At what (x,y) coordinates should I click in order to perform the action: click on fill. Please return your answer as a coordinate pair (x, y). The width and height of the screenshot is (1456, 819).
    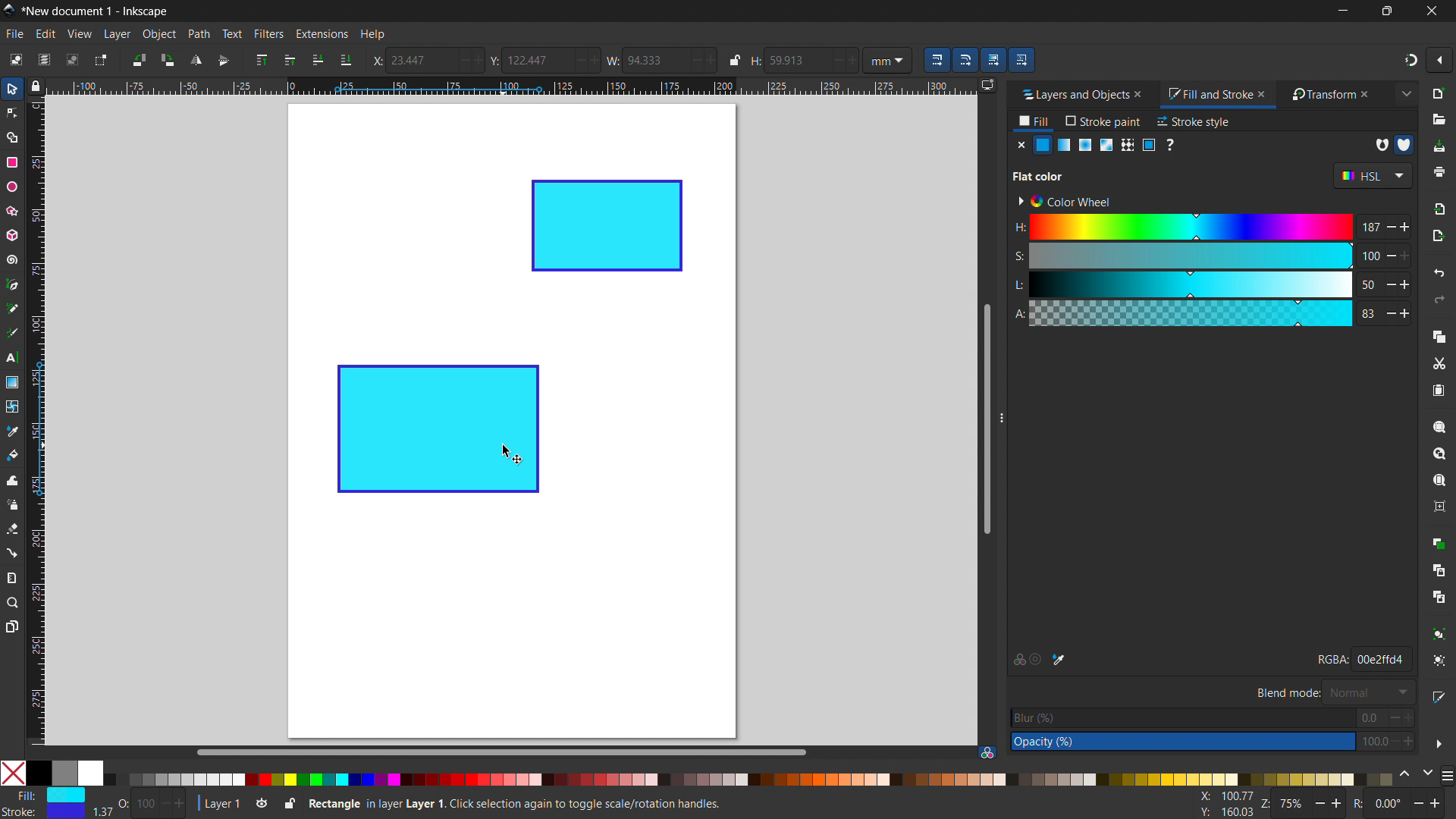
    Looking at the image, I should click on (1034, 123).